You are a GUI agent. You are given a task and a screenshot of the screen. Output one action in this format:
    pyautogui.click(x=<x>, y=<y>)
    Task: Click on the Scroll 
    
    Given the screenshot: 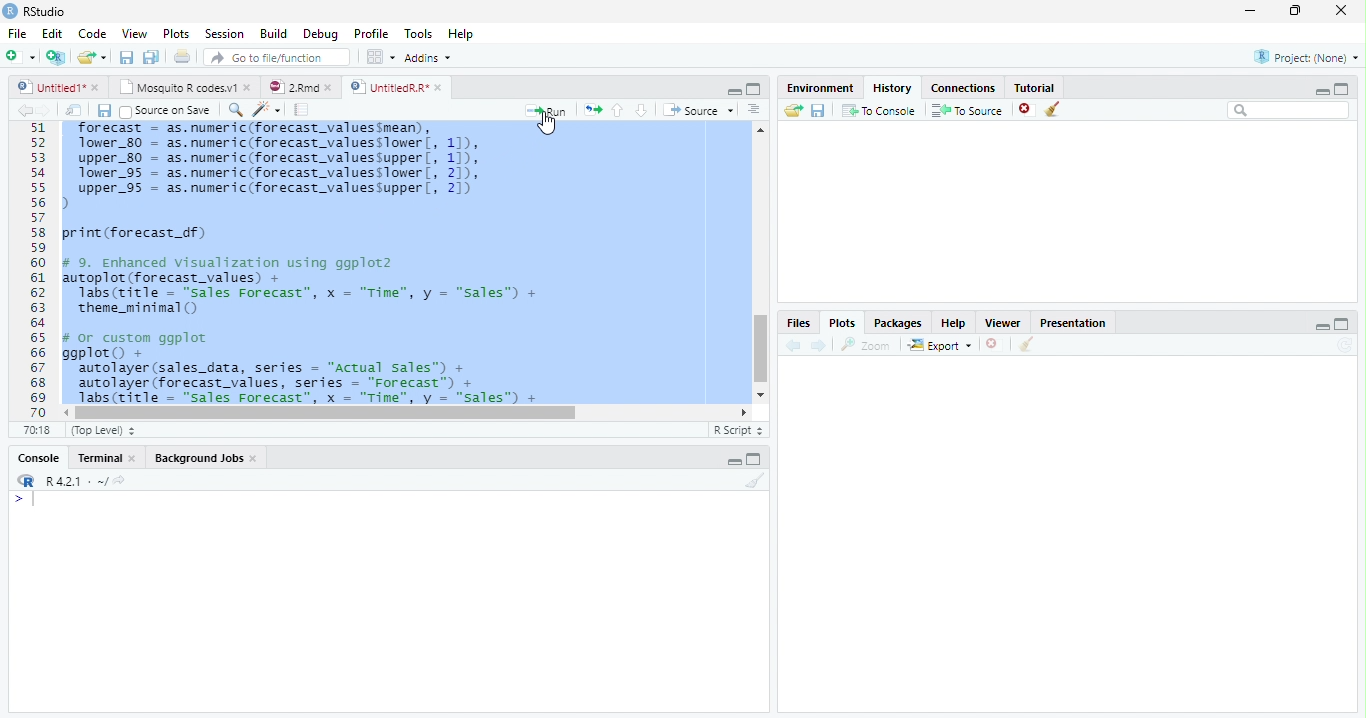 What is the action you would take?
    pyautogui.click(x=759, y=262)
    